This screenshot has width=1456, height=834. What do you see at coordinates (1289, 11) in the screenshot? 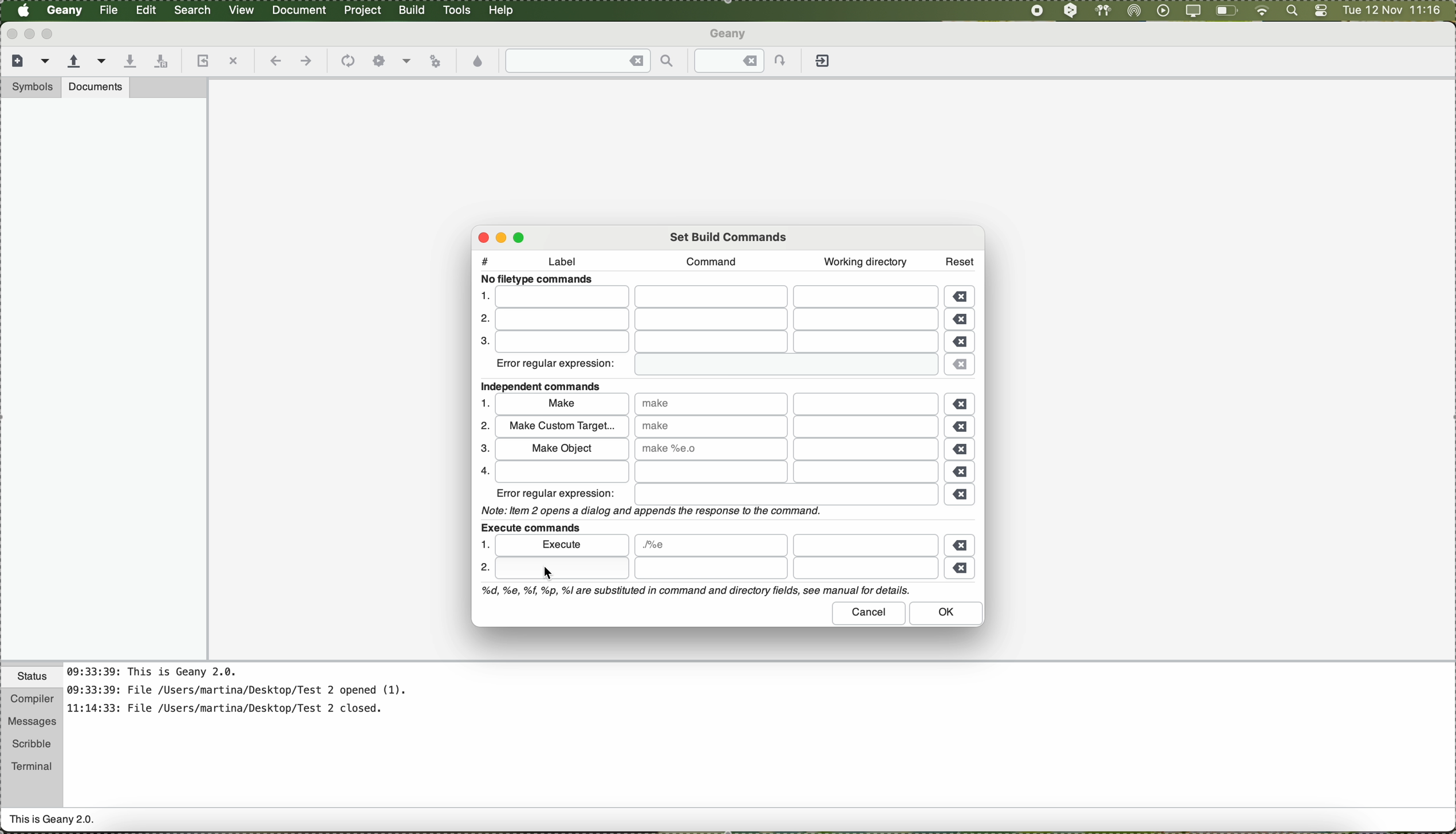
I see `spotlight search` at bounding box center [1289, 11].